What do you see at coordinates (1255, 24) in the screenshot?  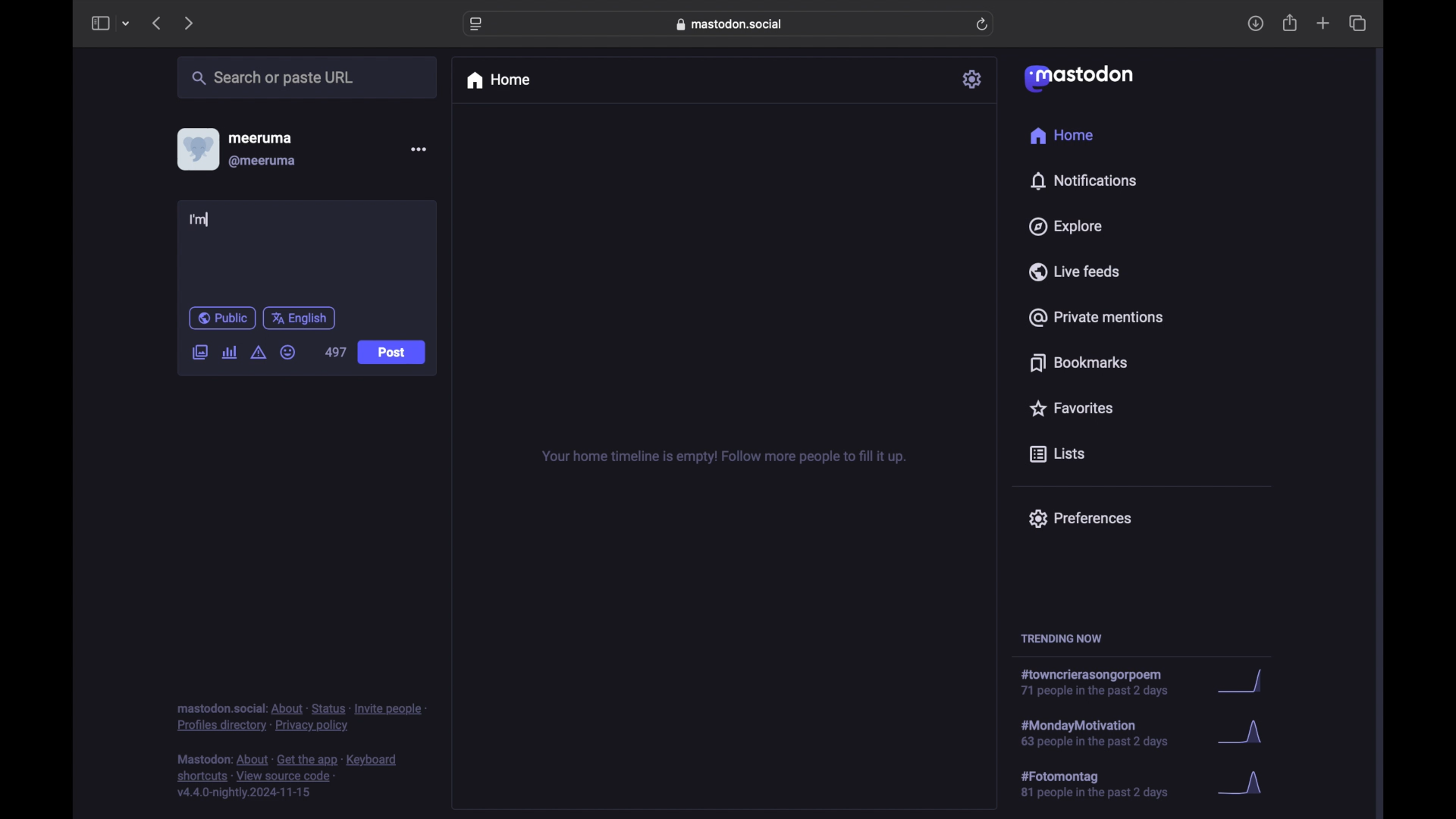 I see `downloads` at bounding box center [1255, 24].